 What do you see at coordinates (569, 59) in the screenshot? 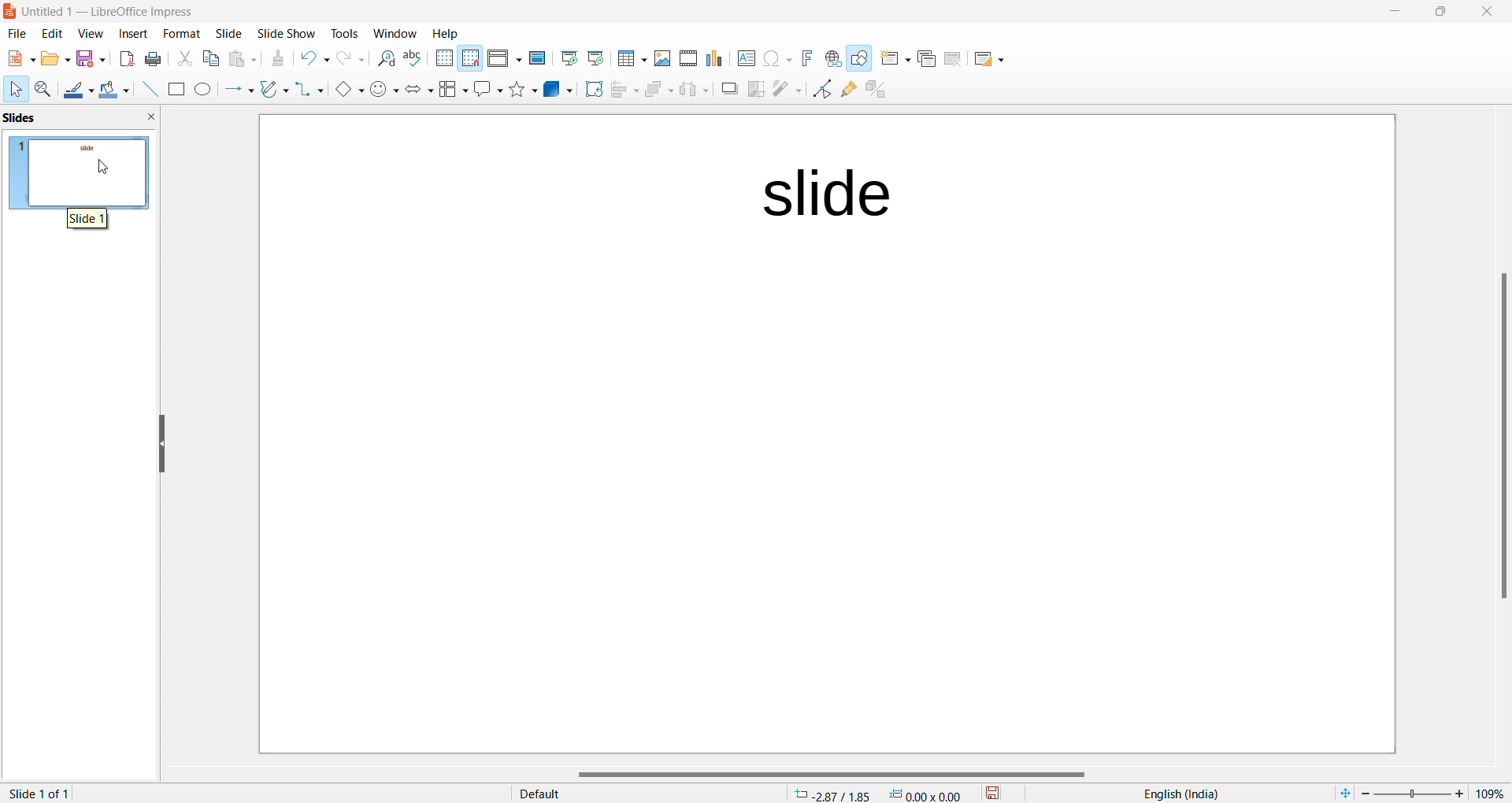
I see `Start from first slide` at bounding box center [569, 59].